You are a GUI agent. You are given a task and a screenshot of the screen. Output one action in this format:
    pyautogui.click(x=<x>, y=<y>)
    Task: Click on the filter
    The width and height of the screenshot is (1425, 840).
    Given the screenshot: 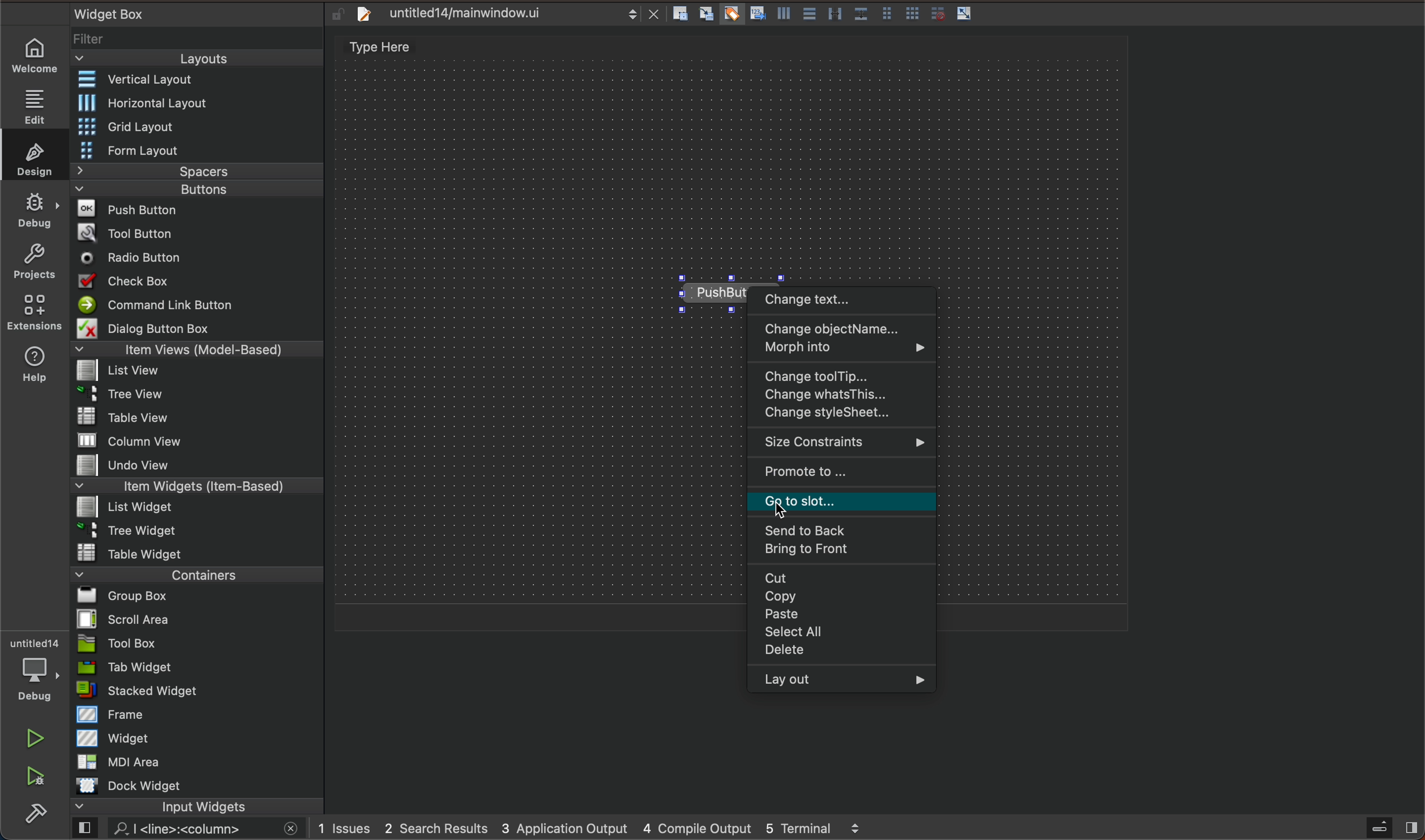 What is the action you would take?
    pyautogui.click(x=200, y=36)
    